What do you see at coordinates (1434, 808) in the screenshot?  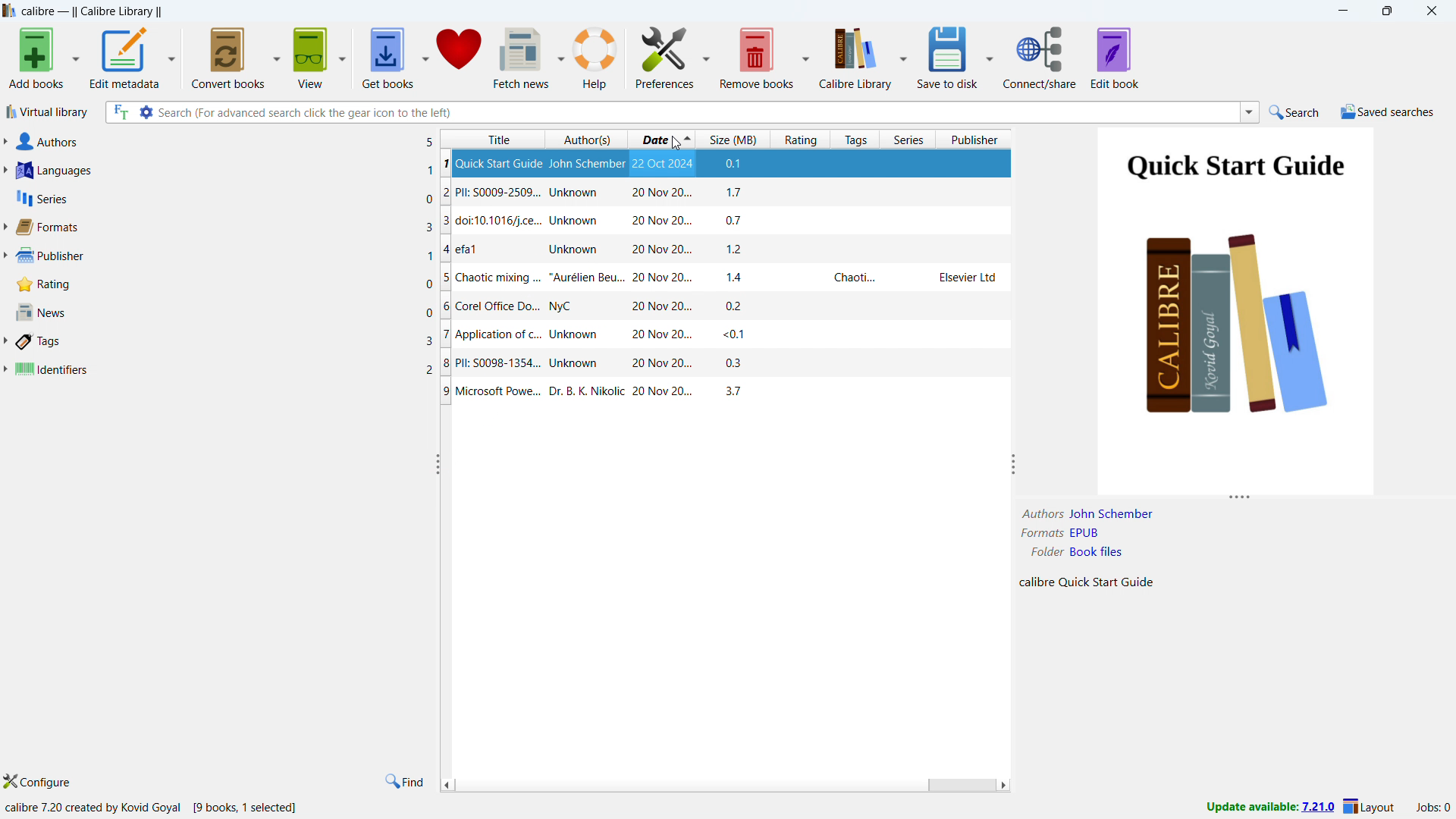 I see `jobs` at bounding box center [1434, 808].